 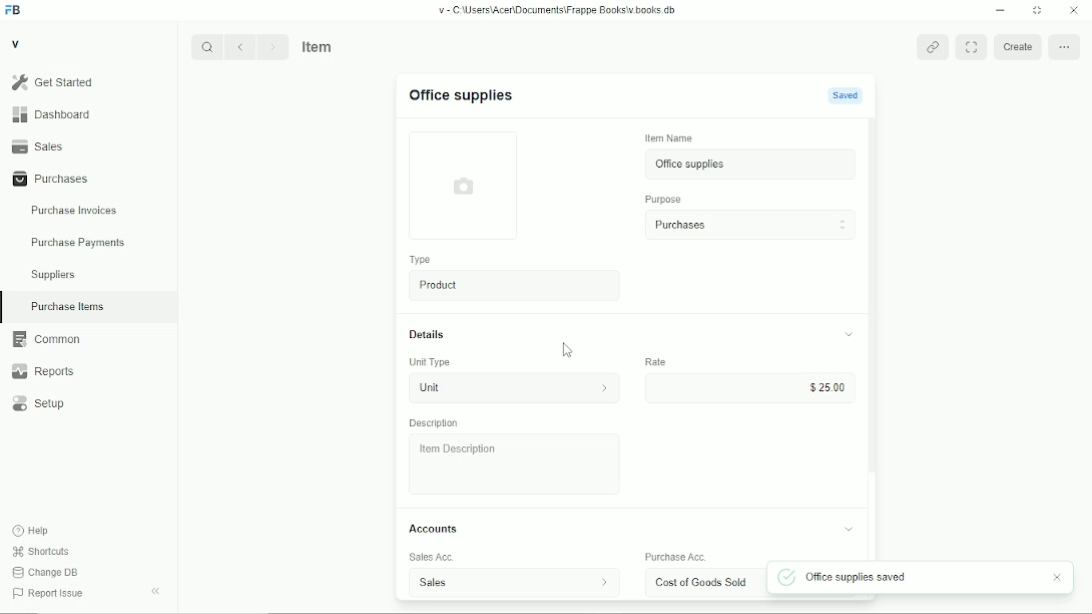 What do you see at coordinates (490, 388) in the screenshot?
I see `unit` at bounding box center [490, 388].